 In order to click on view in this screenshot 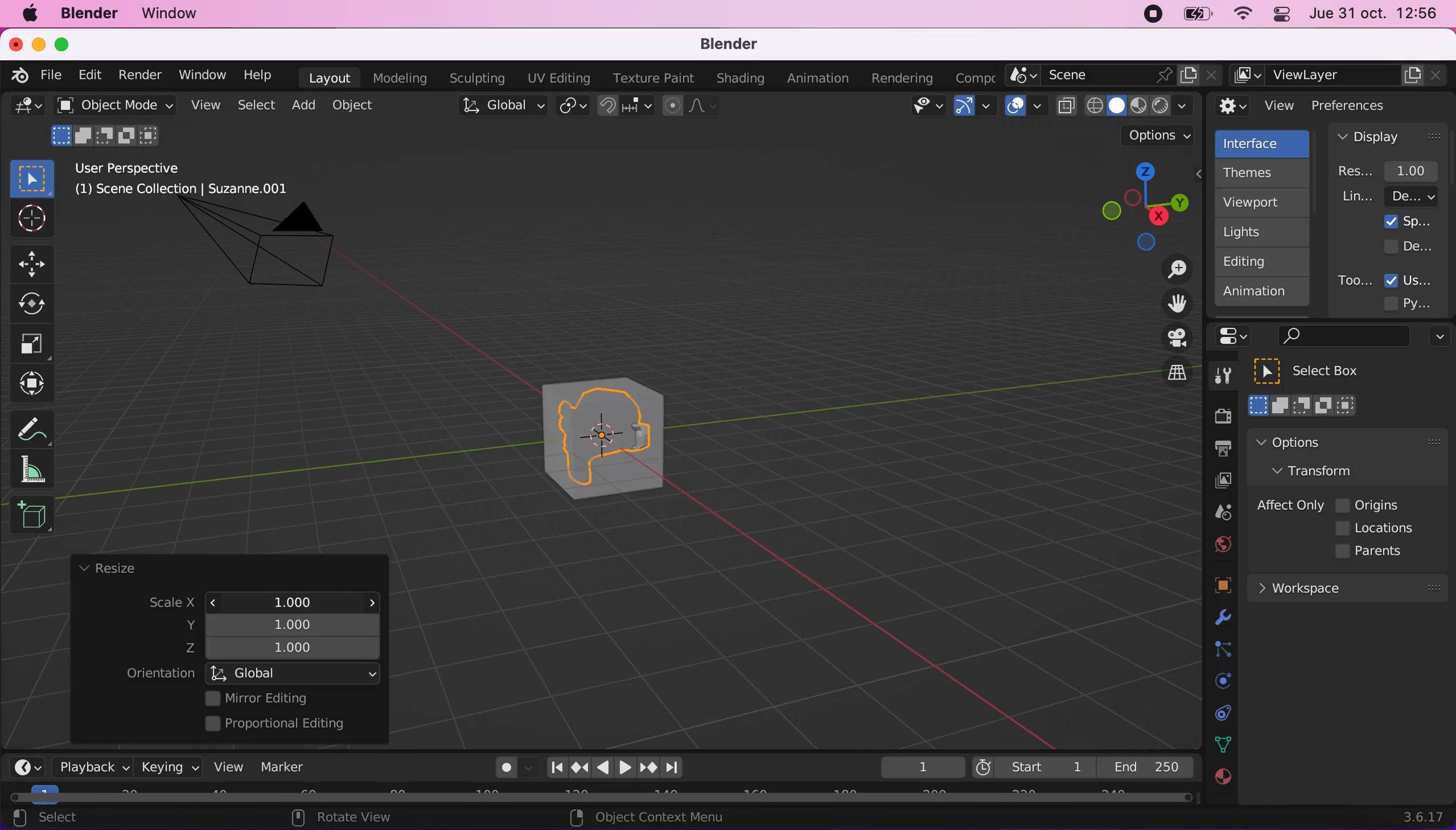, I will do `click(1256, 106)`.